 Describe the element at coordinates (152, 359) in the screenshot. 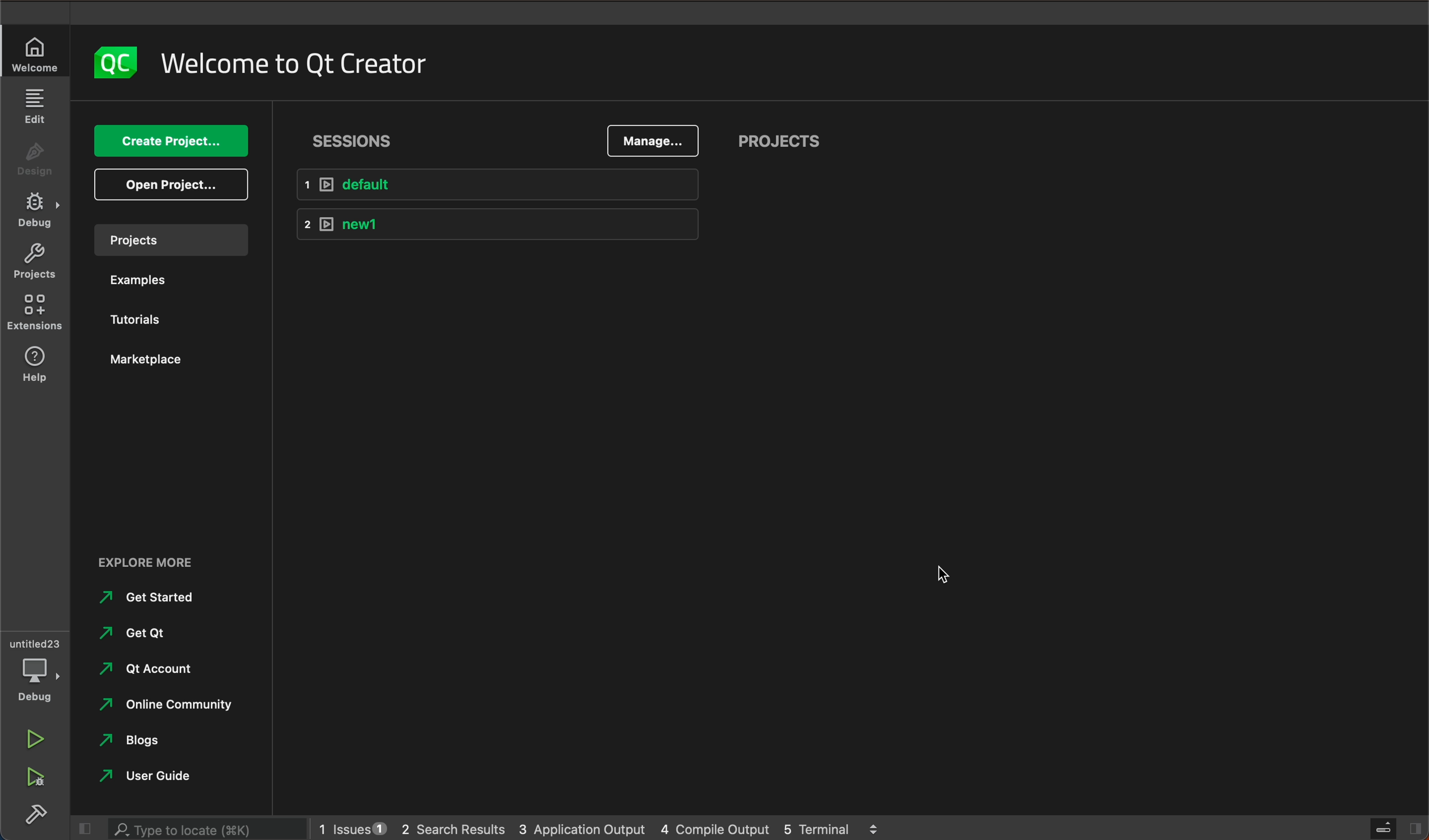

I see `marketplace` at that location.